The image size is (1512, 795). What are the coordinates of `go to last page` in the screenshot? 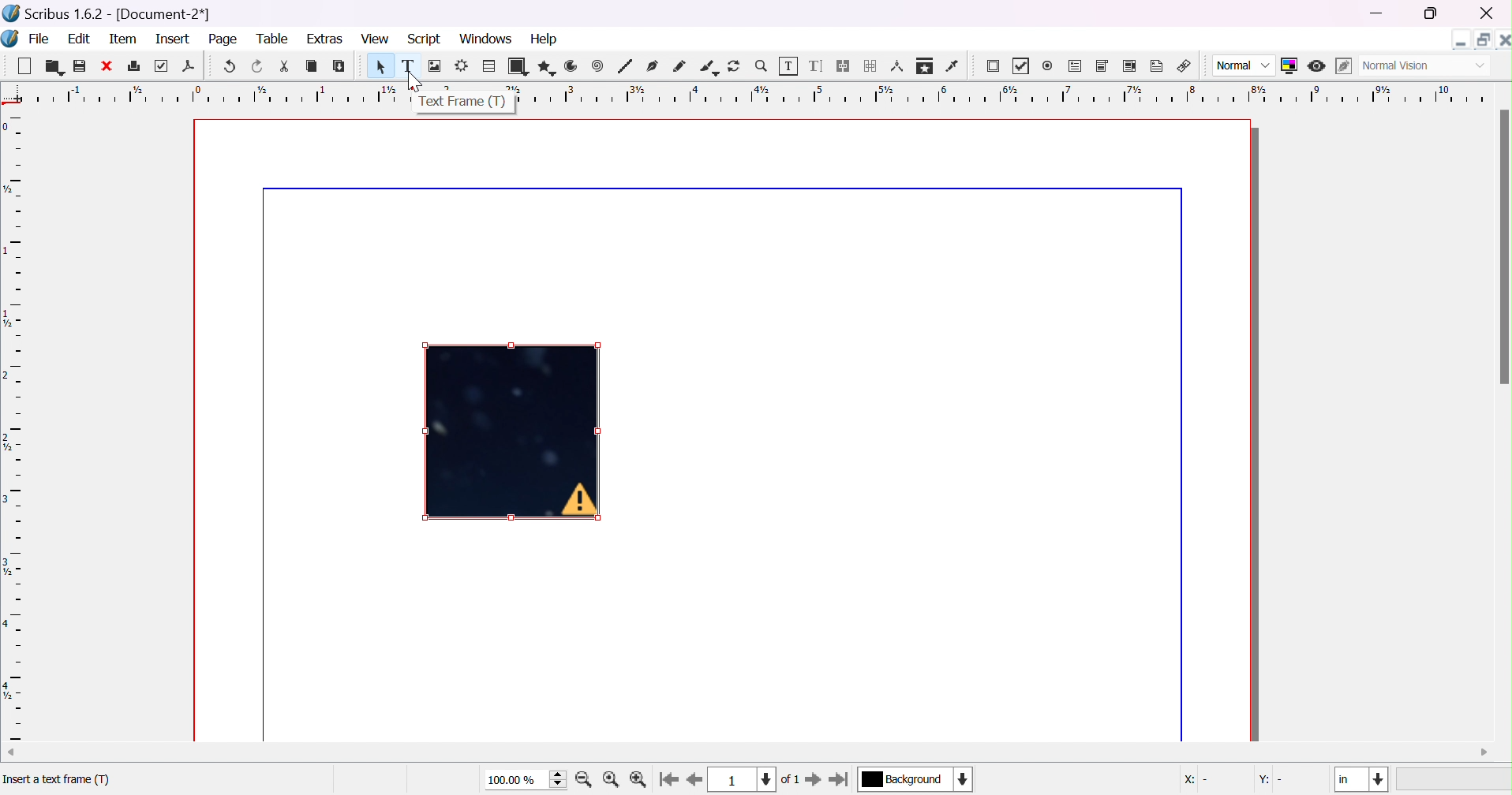 It's located at (840, 779).